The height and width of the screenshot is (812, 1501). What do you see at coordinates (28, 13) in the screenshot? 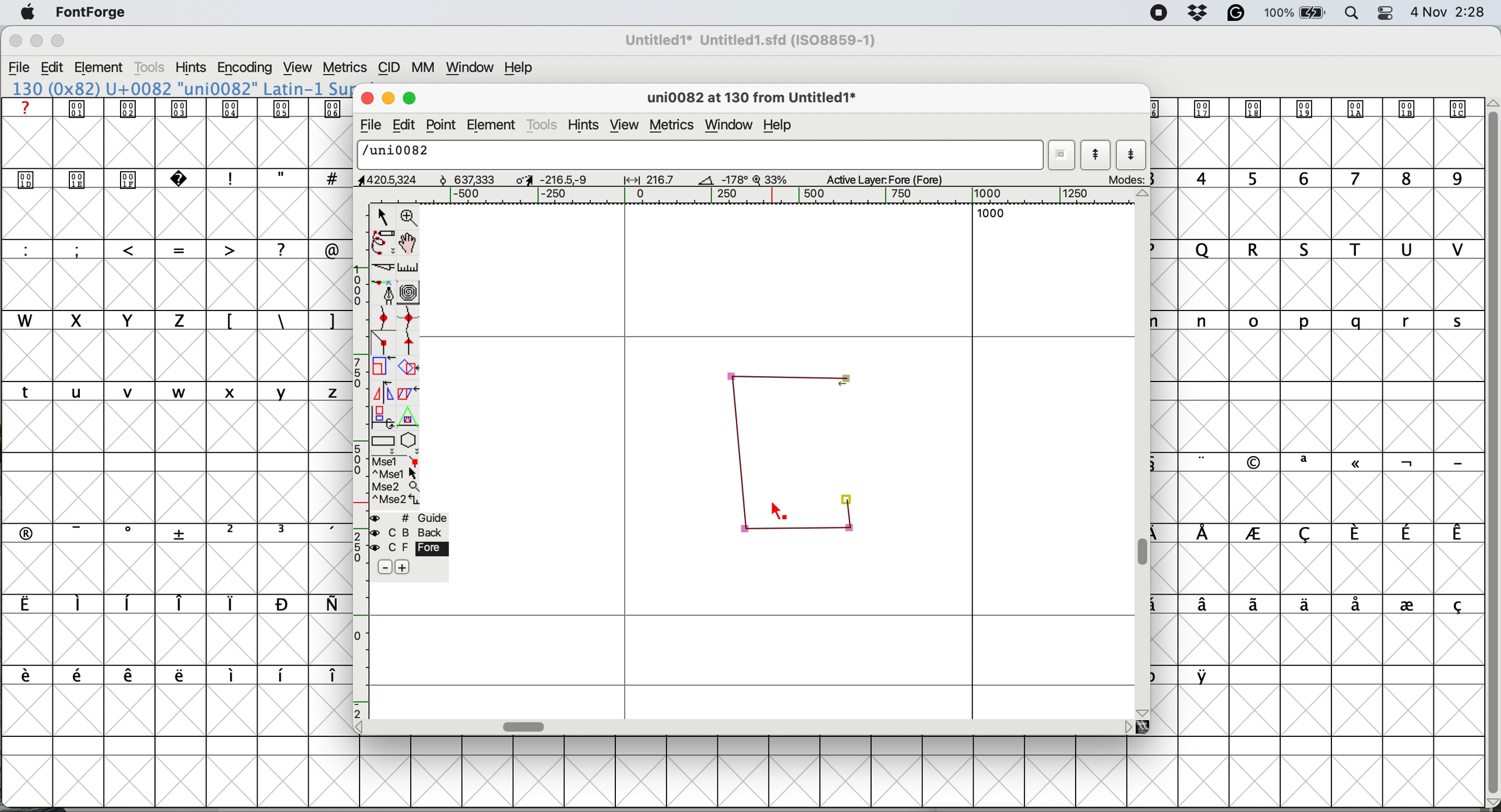
I see `system logo` at bounding box center [28, 13].